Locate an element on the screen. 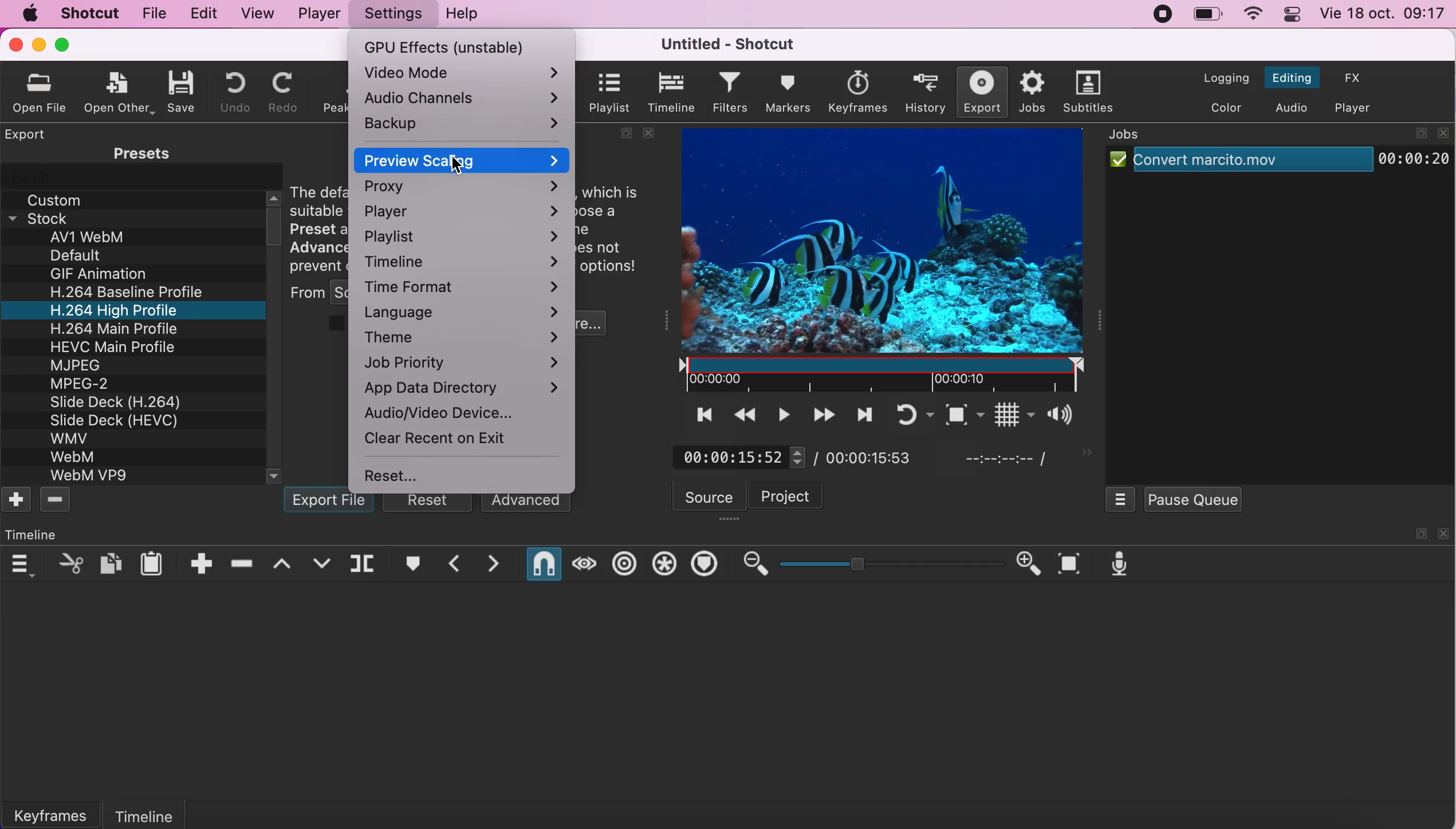 The image size is (1456, 829). pause queue is located at coordinates (1192, 499).